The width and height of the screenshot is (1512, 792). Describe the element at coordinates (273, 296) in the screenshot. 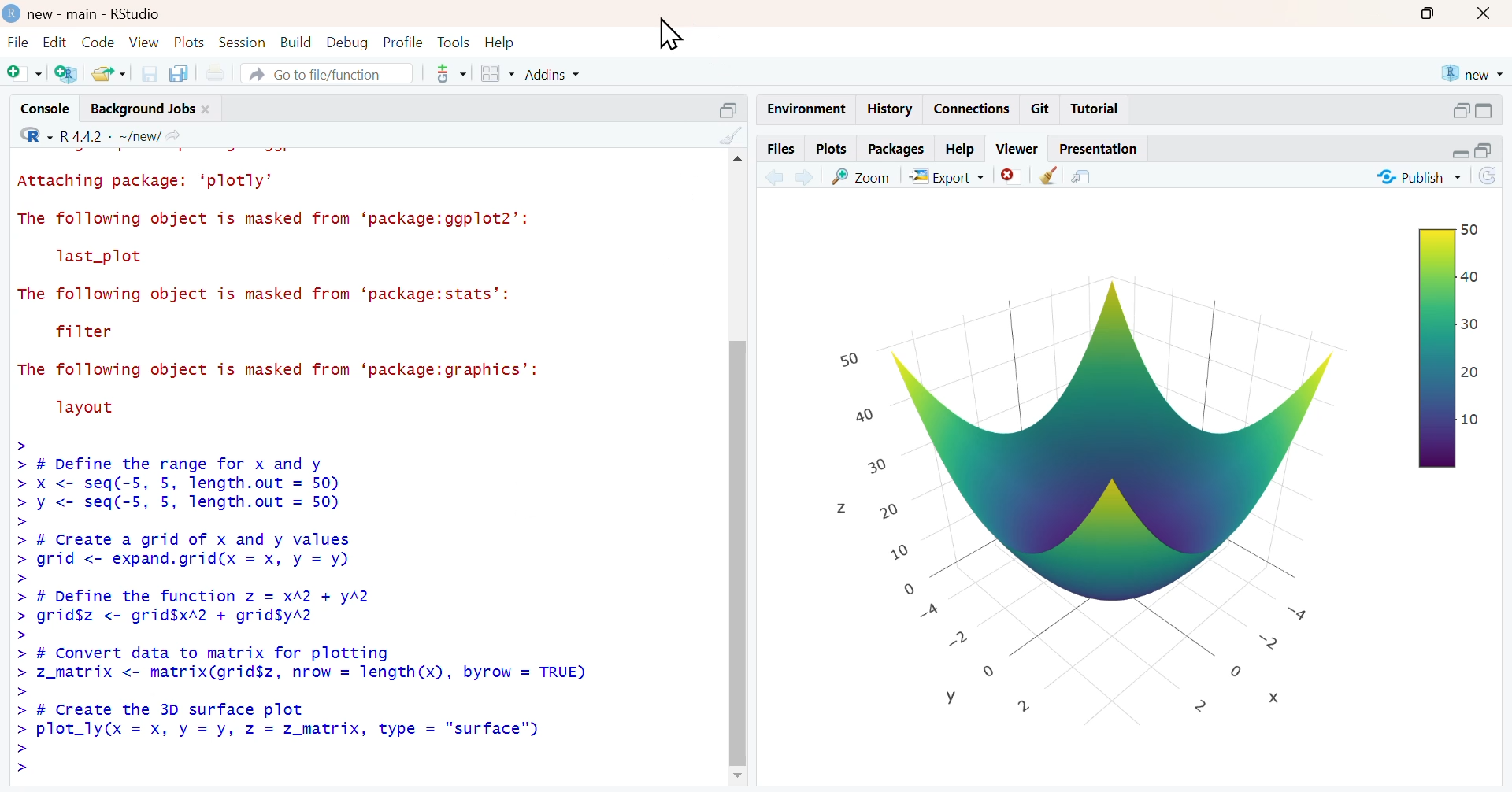

I see `The following object is masked from ‘package:stats’:` at that location.